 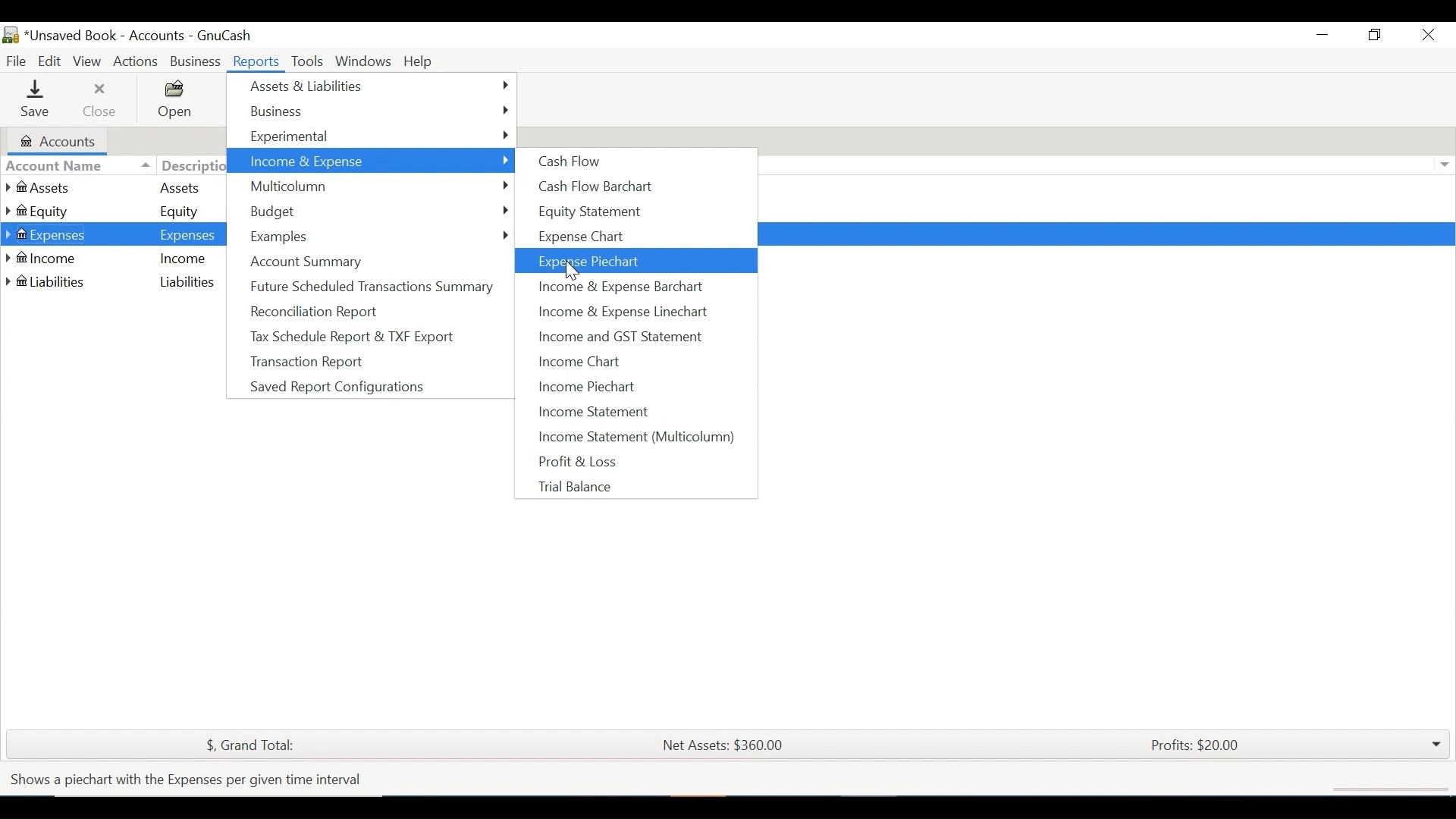 I want to click on Future Scheduled Transactions Summary, so click(x=363, y=287).